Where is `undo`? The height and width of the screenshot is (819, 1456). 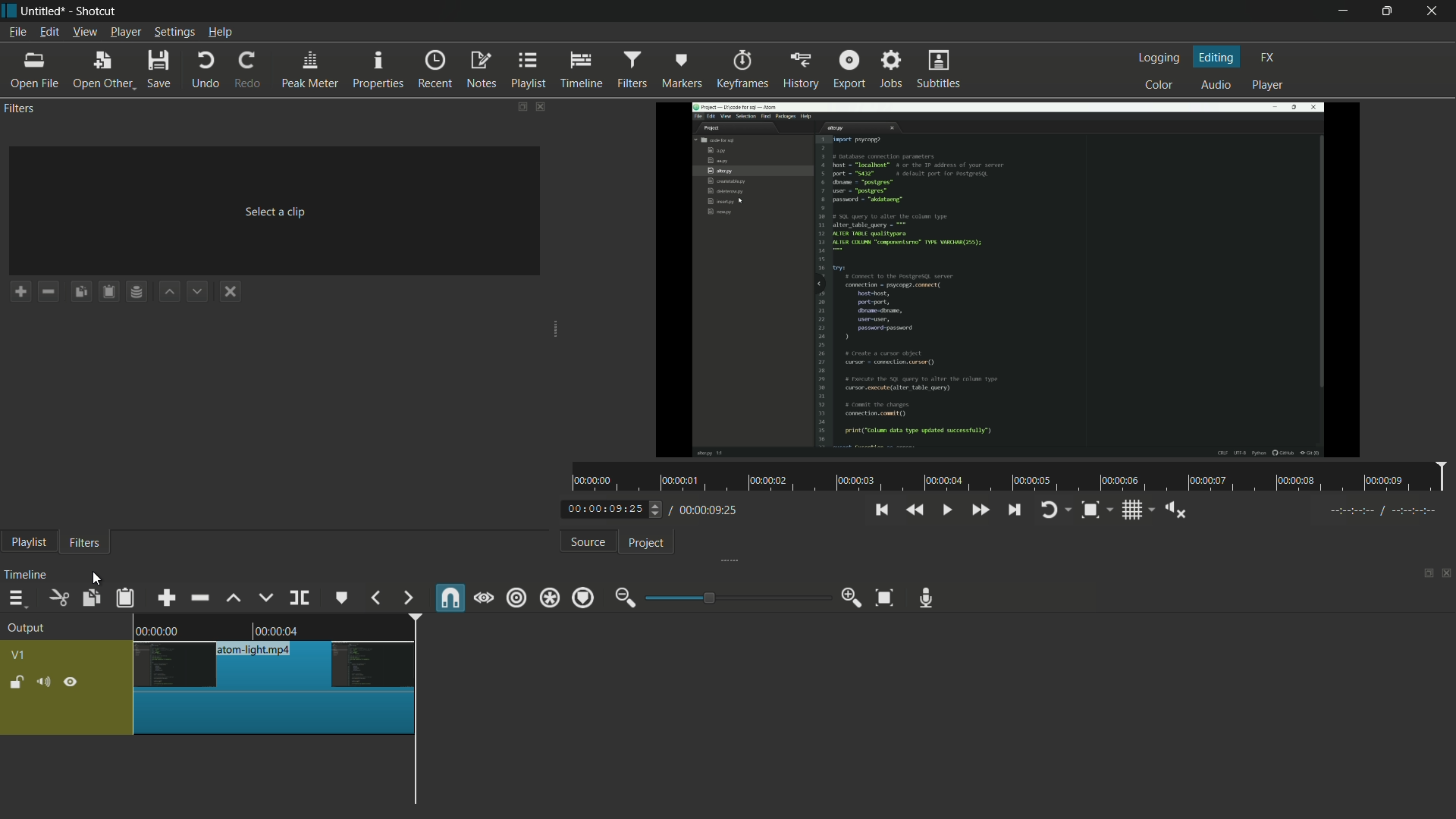
undo is located at coordinates (206, 71).